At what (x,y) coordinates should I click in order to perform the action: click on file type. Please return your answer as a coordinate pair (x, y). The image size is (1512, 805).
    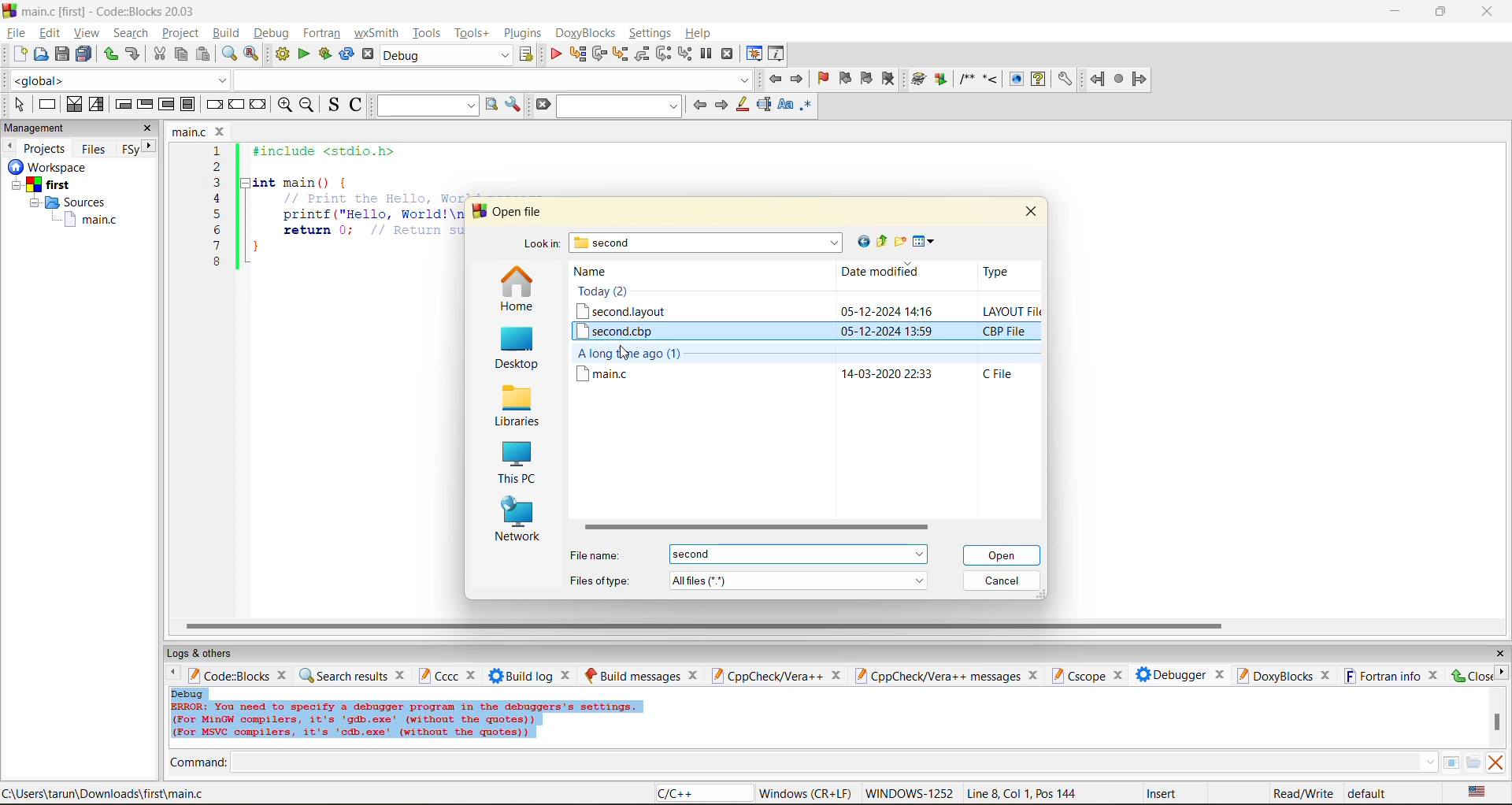
    Looking at the image, I should click on (1006, 373).